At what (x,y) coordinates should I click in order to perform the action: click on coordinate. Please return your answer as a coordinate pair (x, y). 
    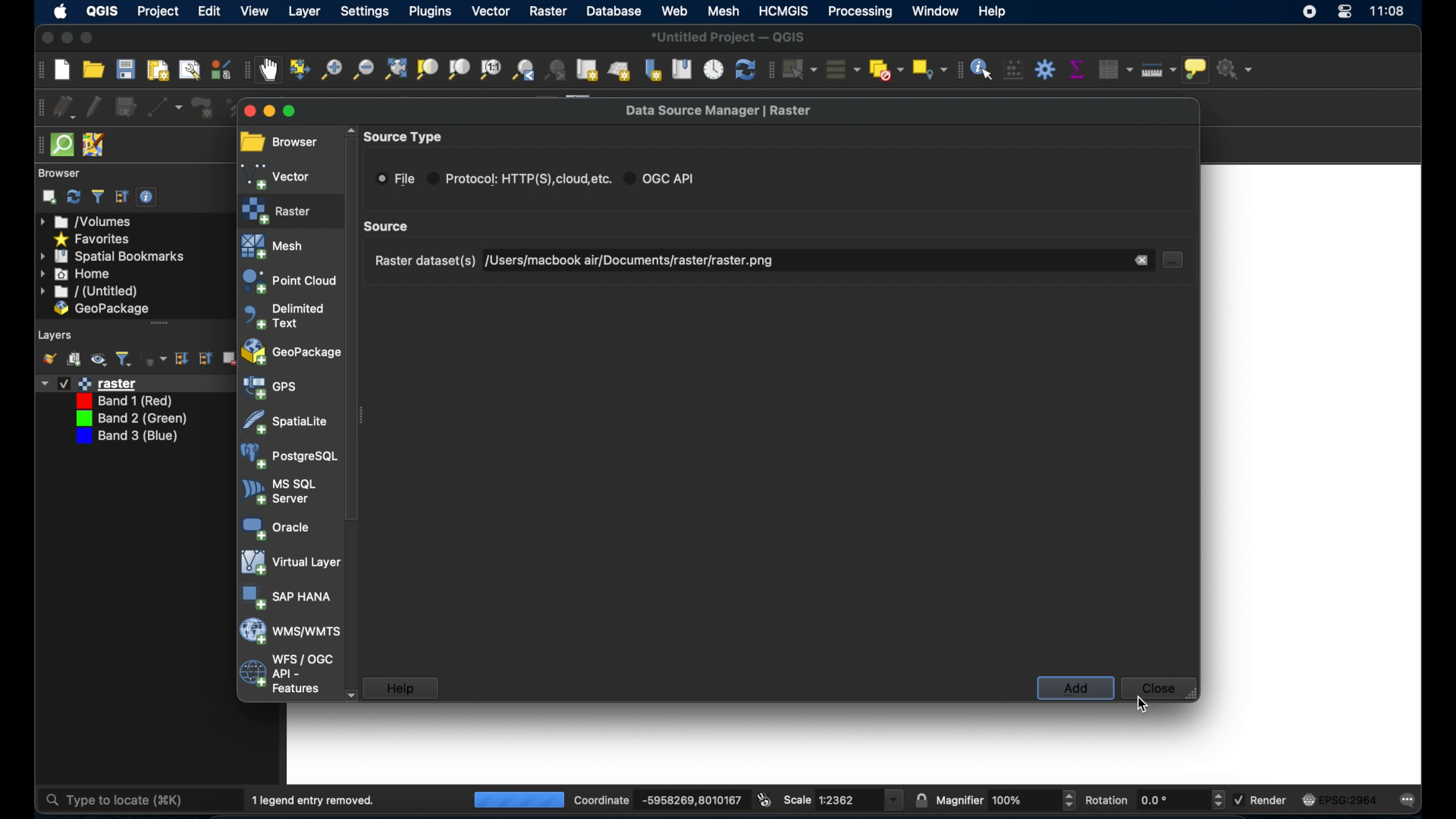
    Looking at the image, I should click on (689, 800).